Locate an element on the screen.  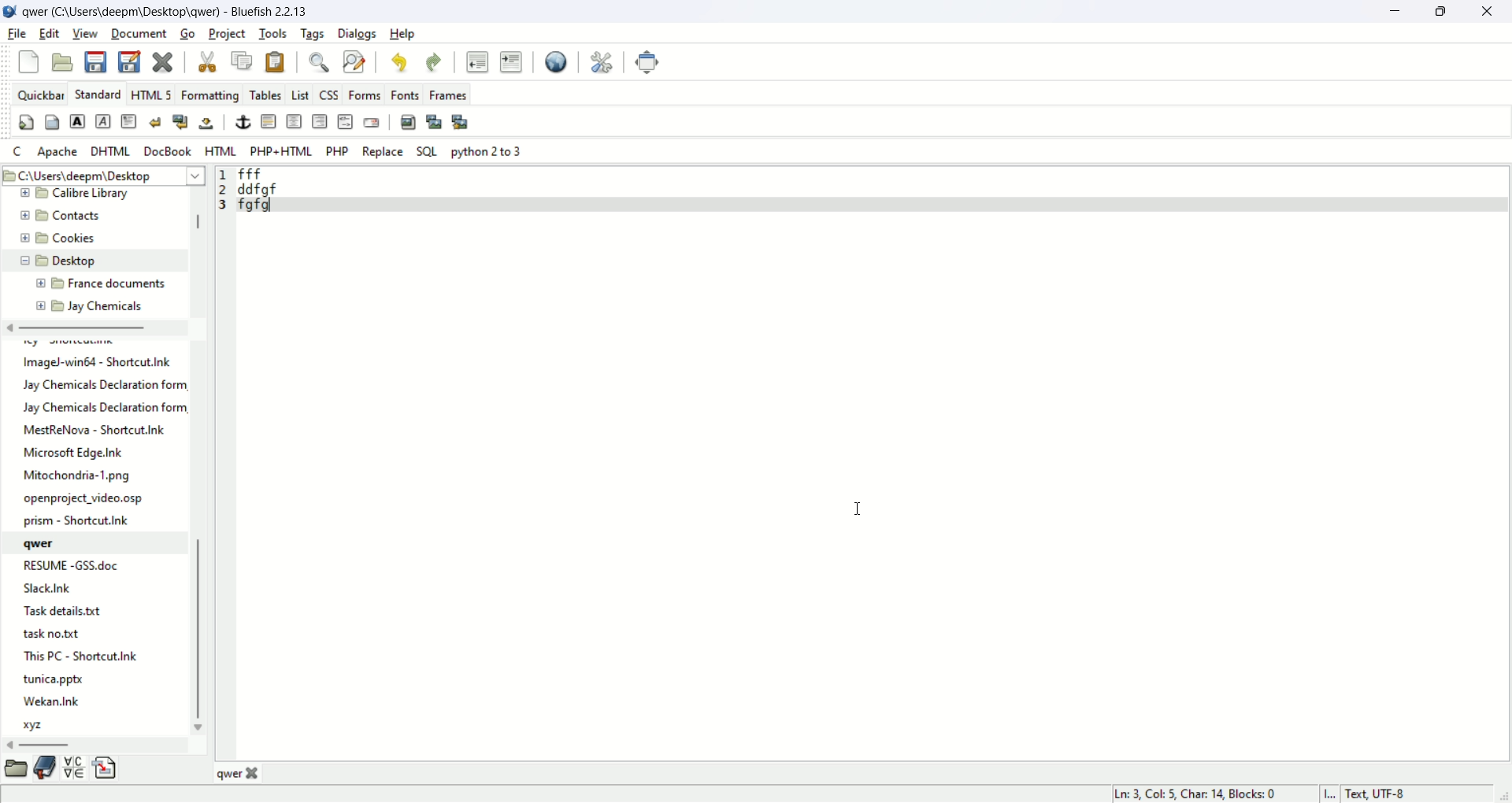
formatting is located at coordinates (209, 94).